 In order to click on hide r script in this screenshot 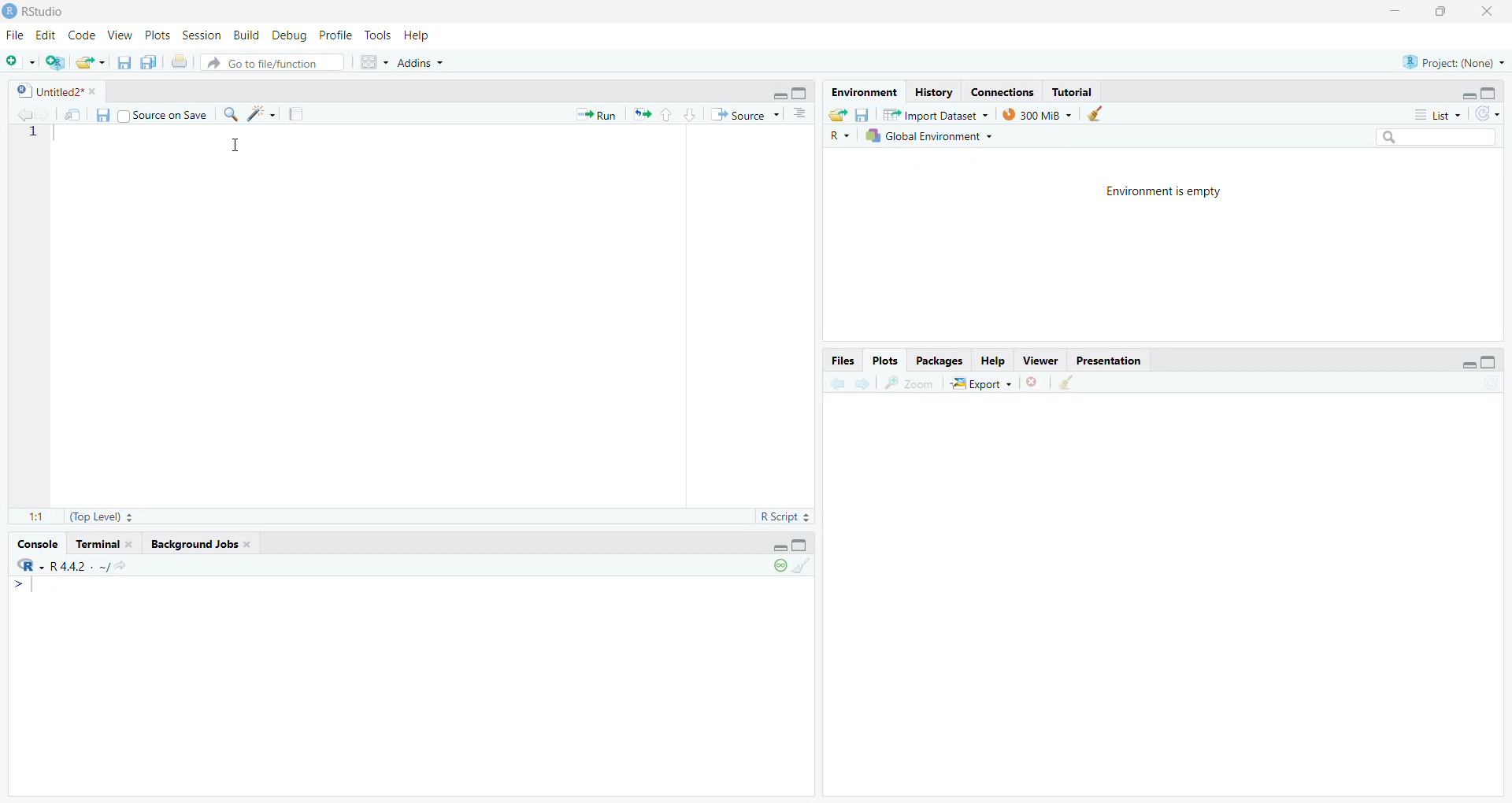, I will do `click(777, 545)`.